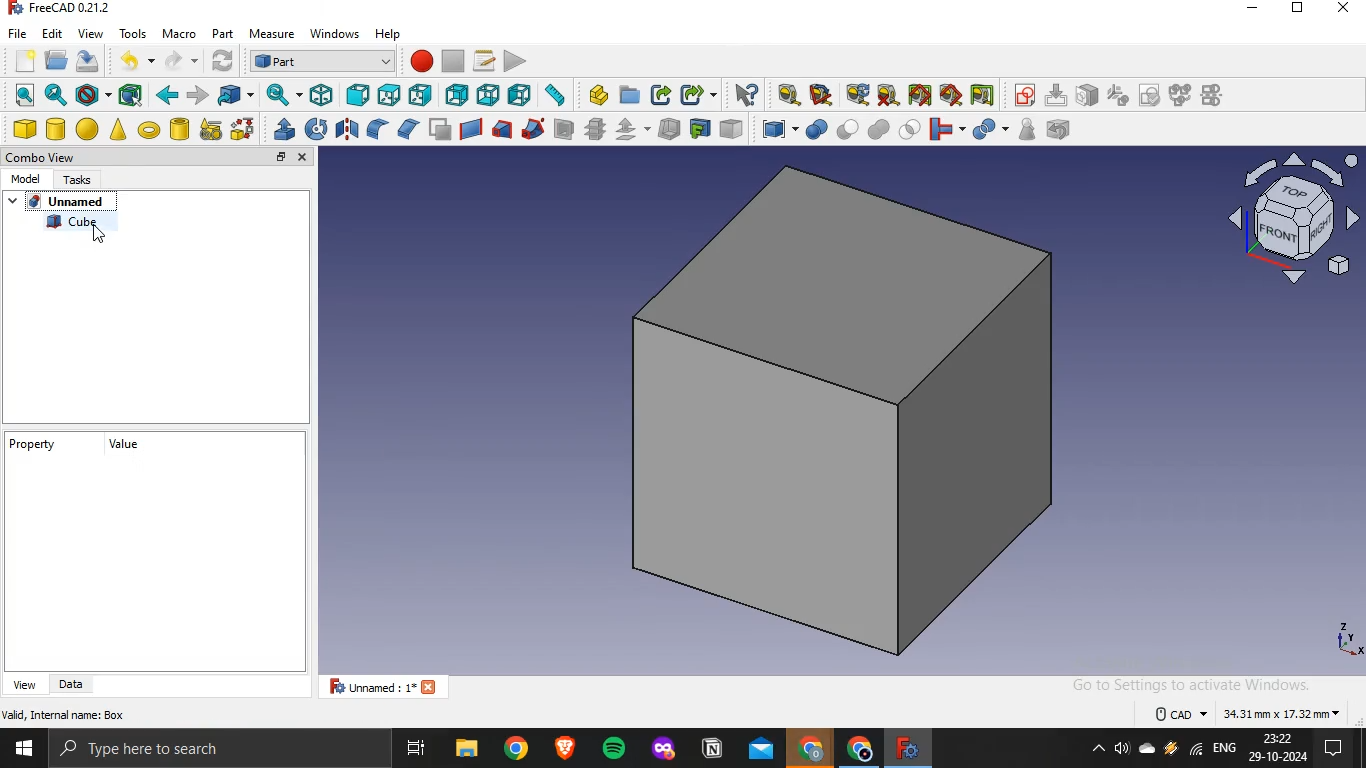 Image resolution: width=1366 pixels, height=768 pixels. I want to click on sweep, so click(533, 128).